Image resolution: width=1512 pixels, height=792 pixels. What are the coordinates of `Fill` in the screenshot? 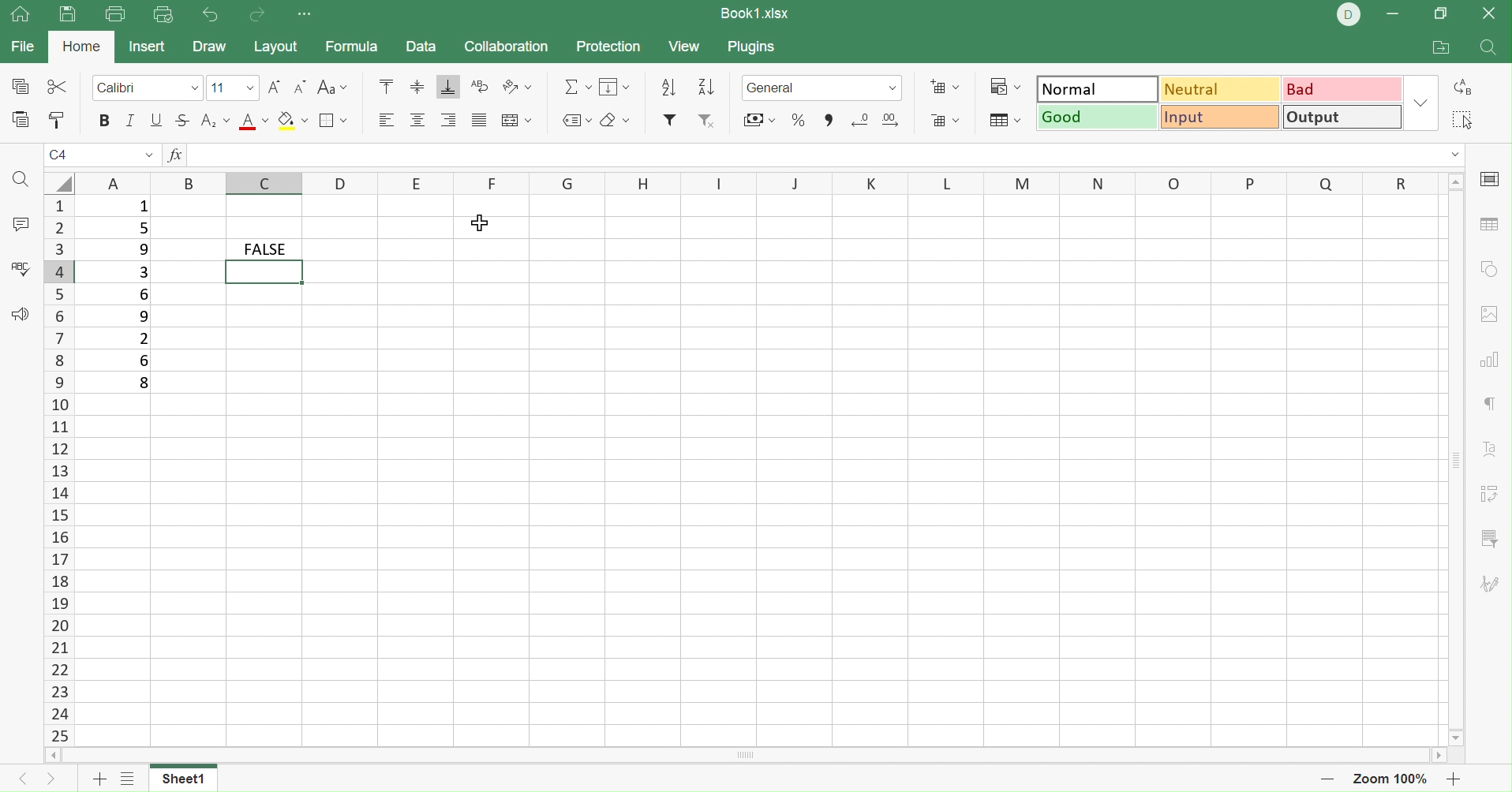 It's located at (615, 86).